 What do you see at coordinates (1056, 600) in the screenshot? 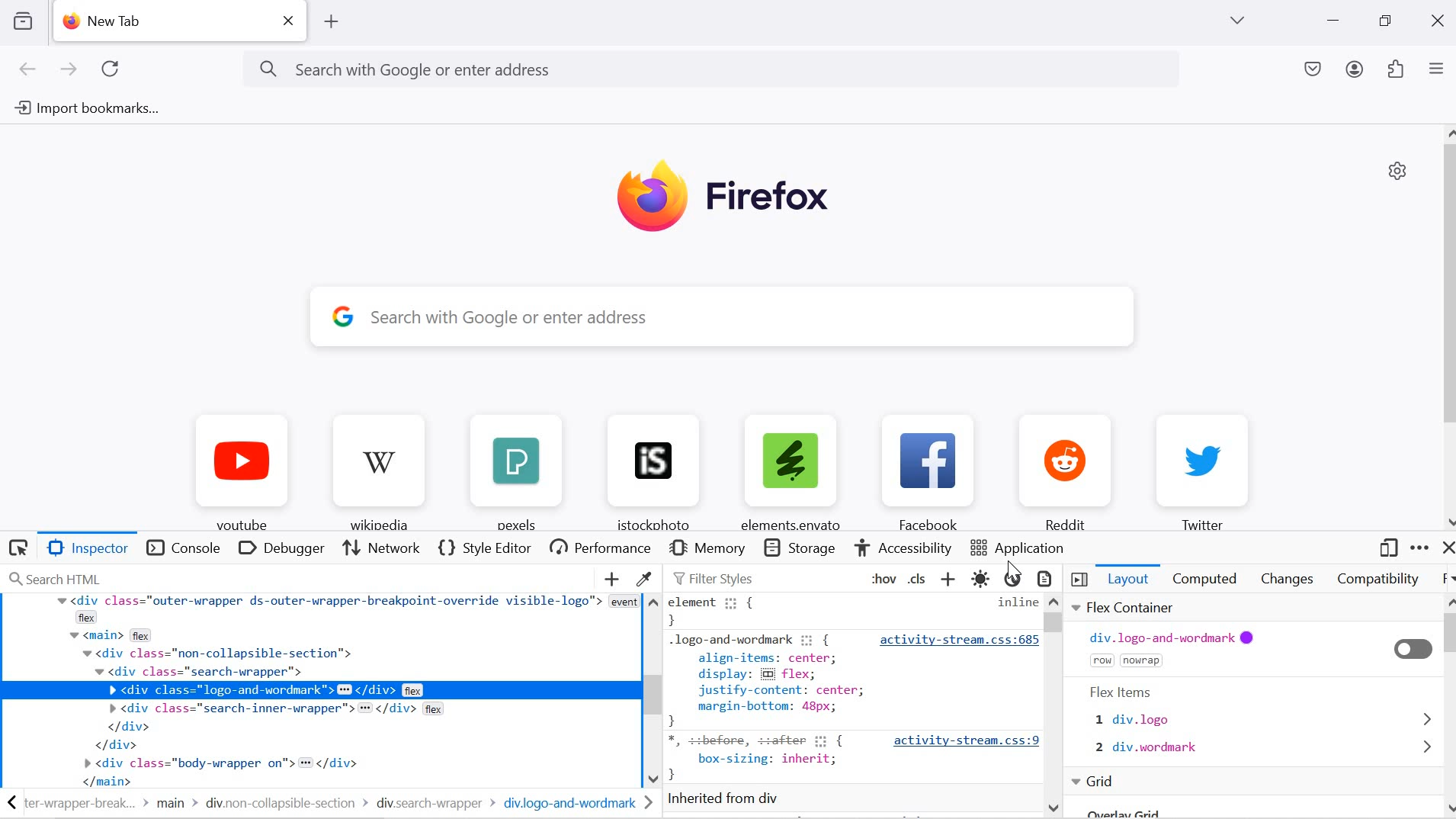
I see `move up` at bounding box center [1056, 600].